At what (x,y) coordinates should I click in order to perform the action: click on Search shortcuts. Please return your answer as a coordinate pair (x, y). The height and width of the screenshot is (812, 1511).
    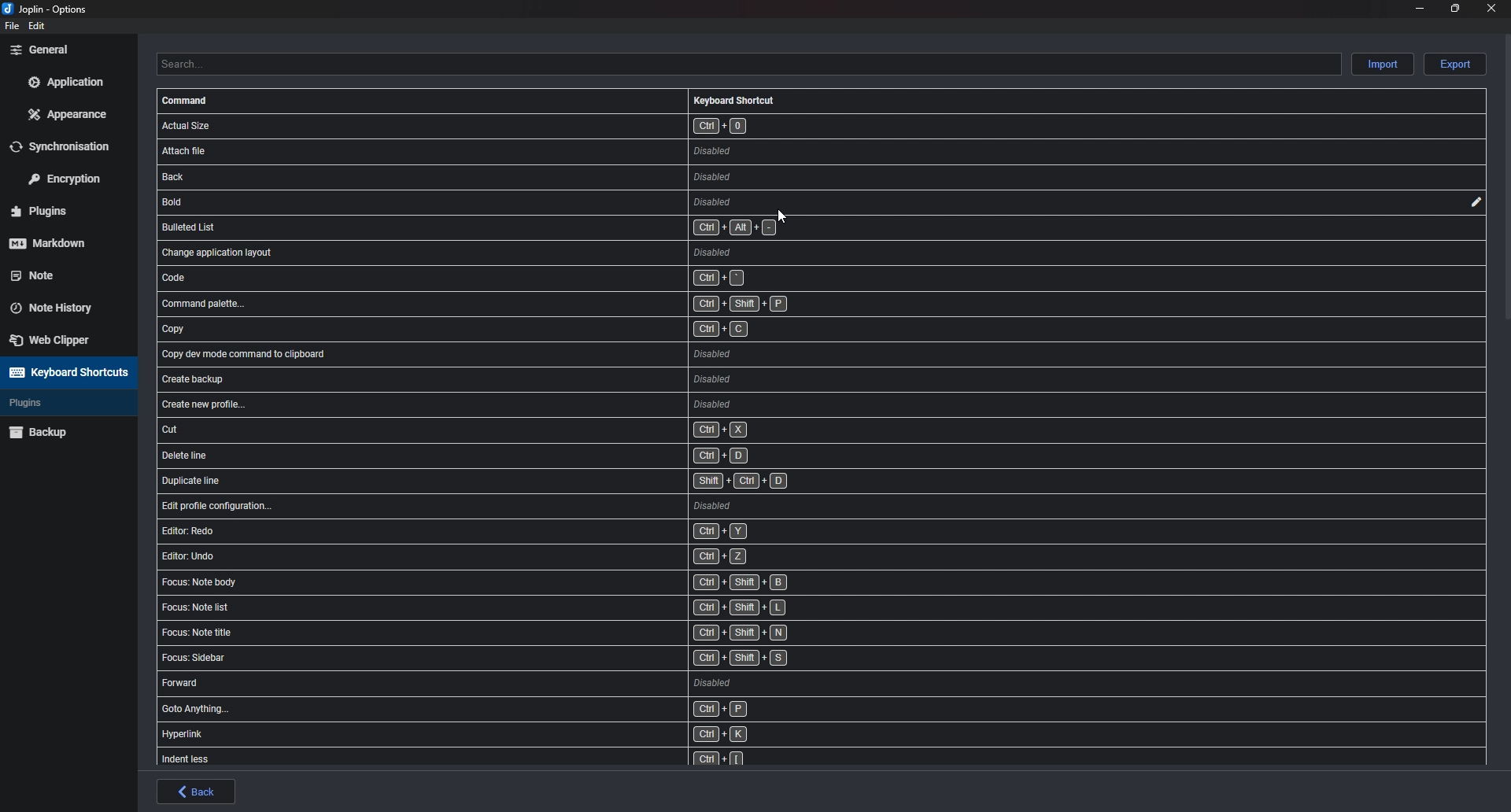
    Looking at the image, I should click on (748, 64).